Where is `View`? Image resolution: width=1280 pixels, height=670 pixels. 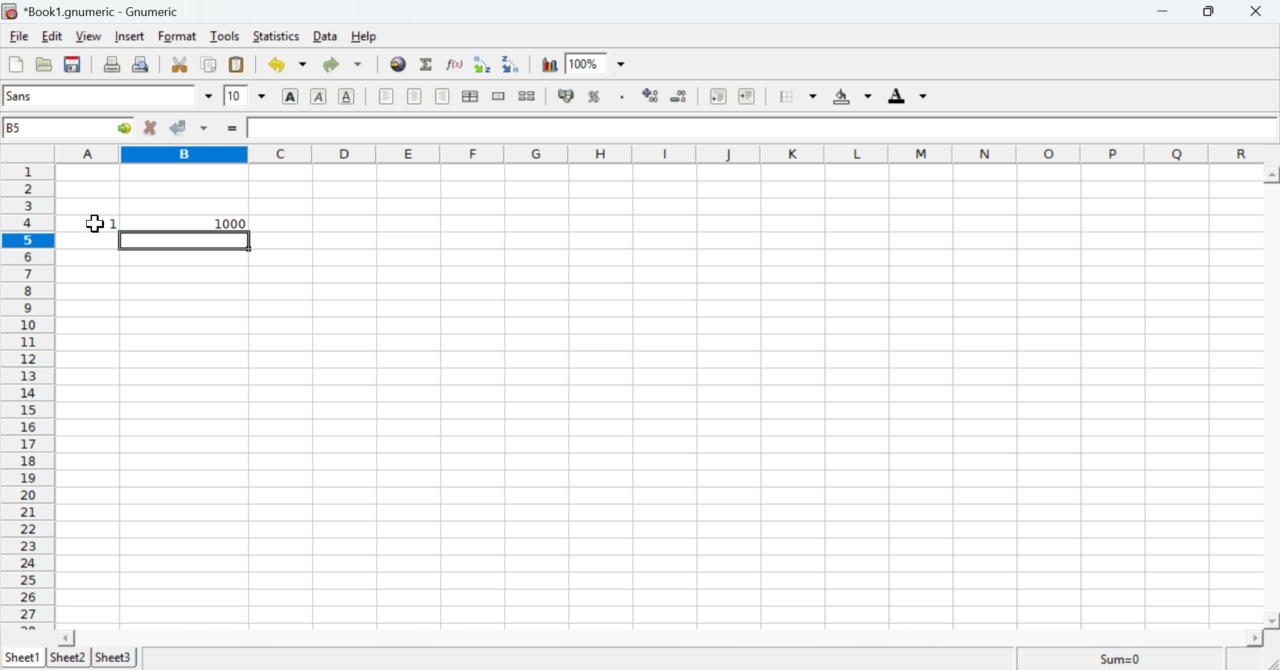 View is located at coordinates (92, 36).